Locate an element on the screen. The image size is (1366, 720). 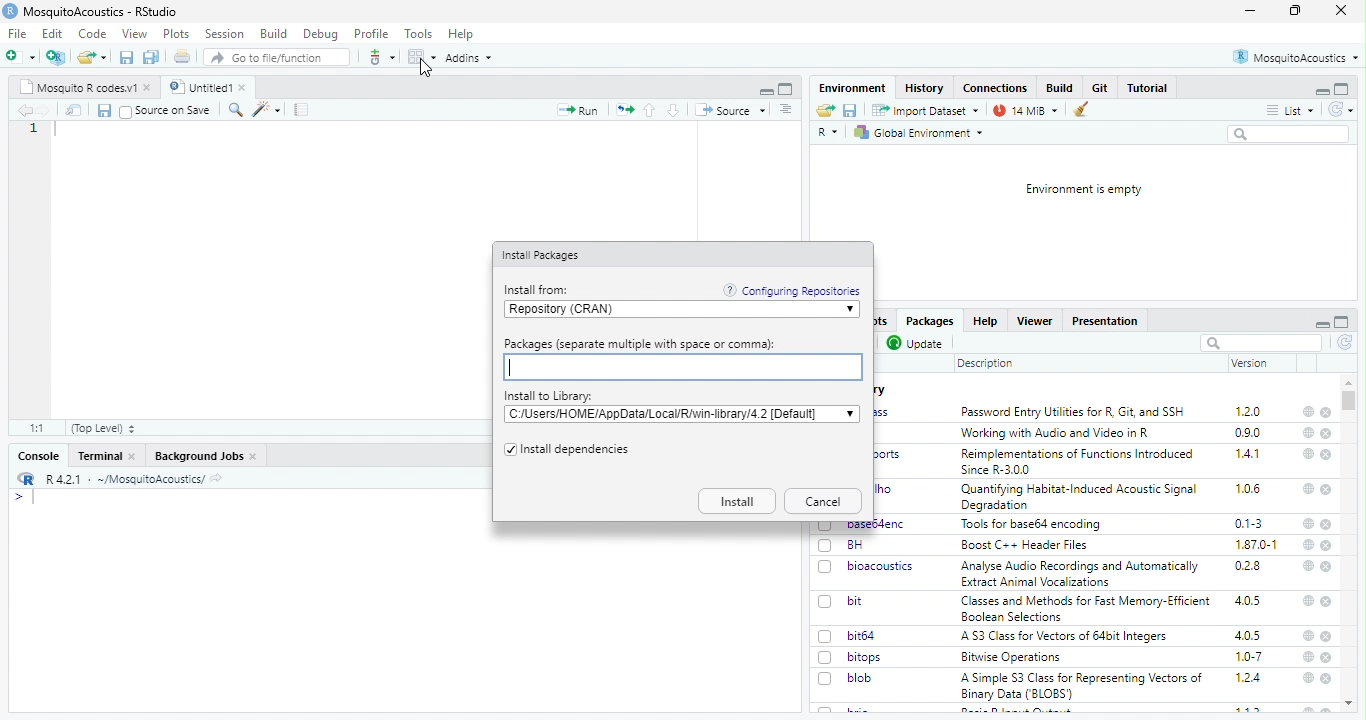
A Simple S3 Class for Representing Vectors of
Binary Data (BLOBS) is located at coordinates (1082, 687).